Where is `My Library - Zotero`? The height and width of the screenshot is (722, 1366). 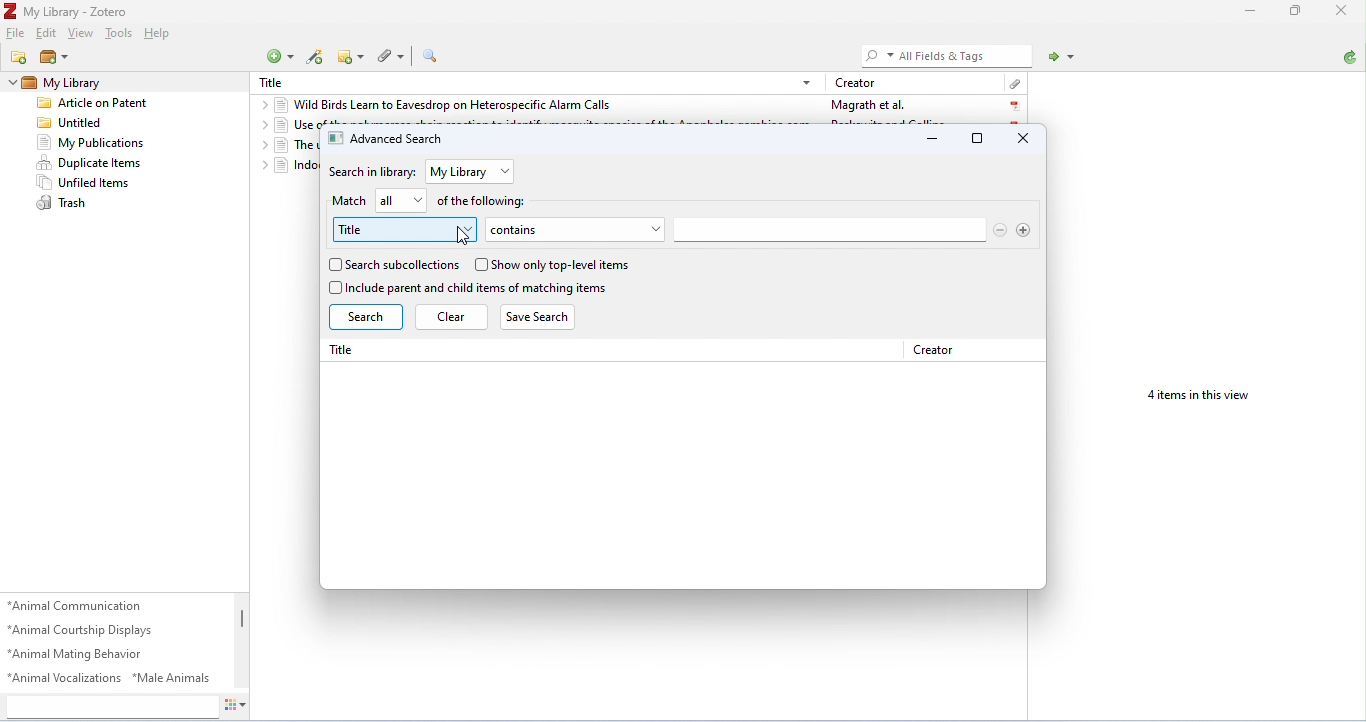
My Library - Zotero is located at coordinates (67, 12).